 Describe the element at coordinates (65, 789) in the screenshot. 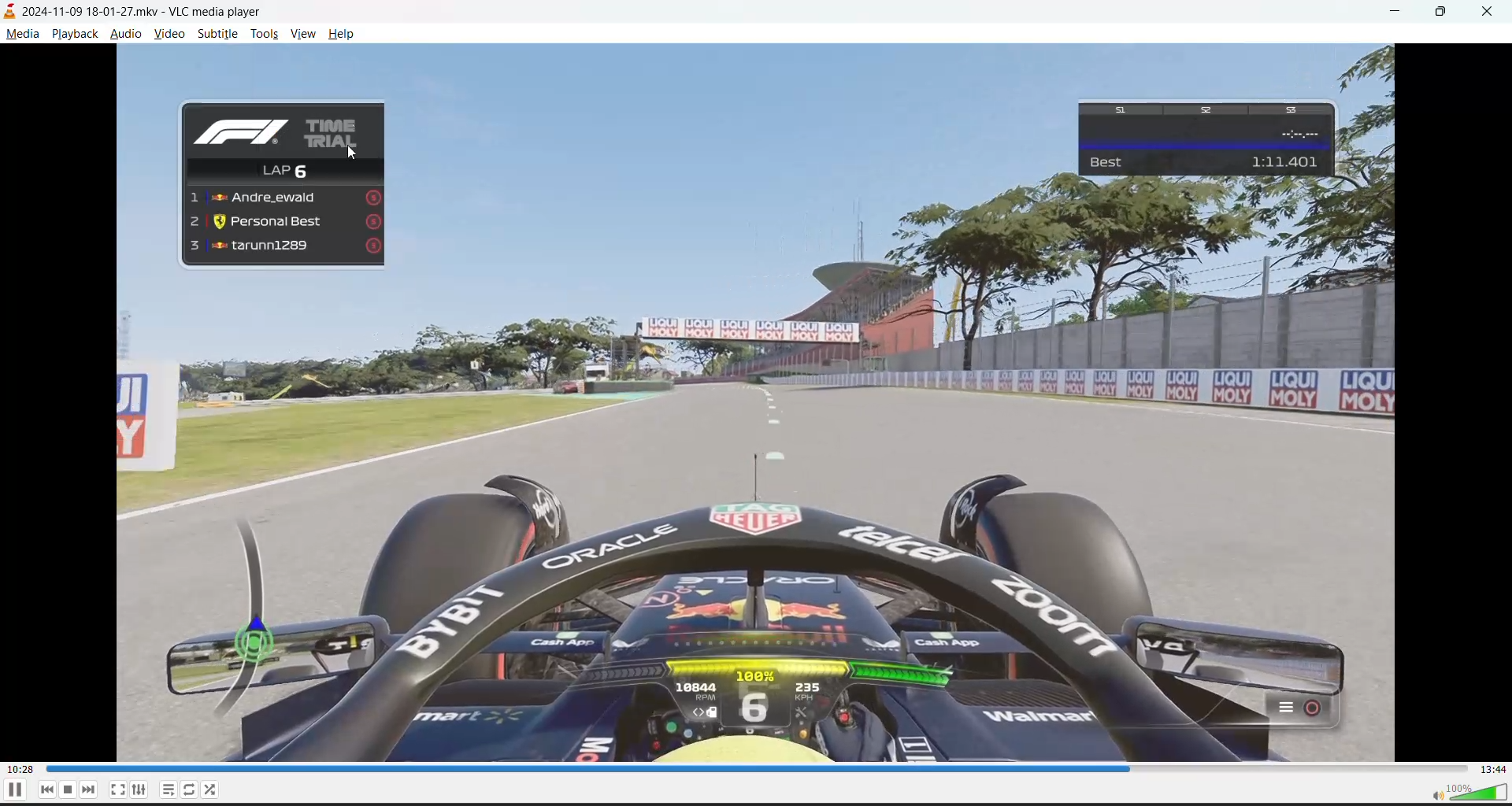

I see `stop` at that location.